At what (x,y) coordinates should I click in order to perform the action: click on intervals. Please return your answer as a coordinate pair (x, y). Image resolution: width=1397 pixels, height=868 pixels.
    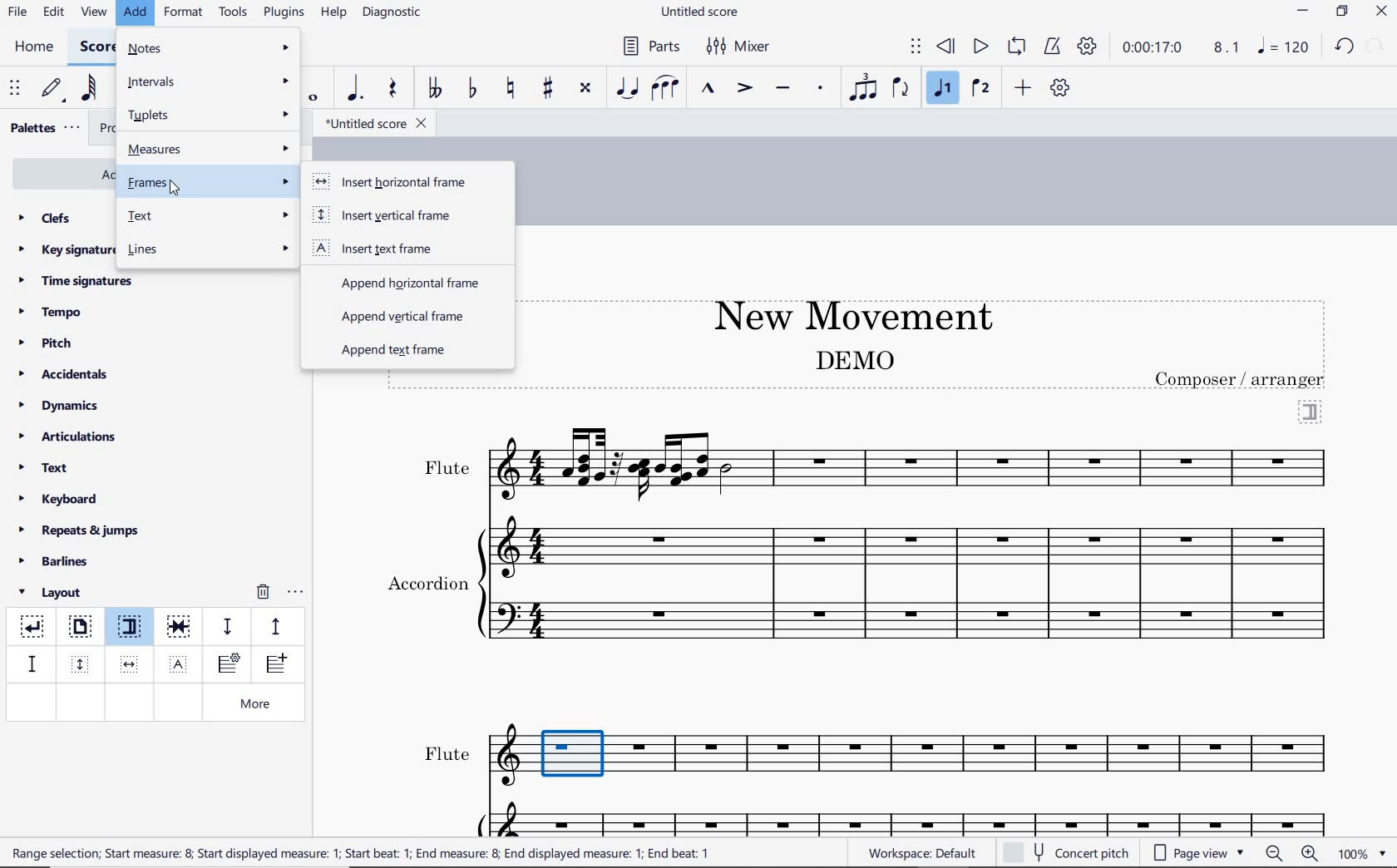
    Looking at the image, I should click on (210, 83).